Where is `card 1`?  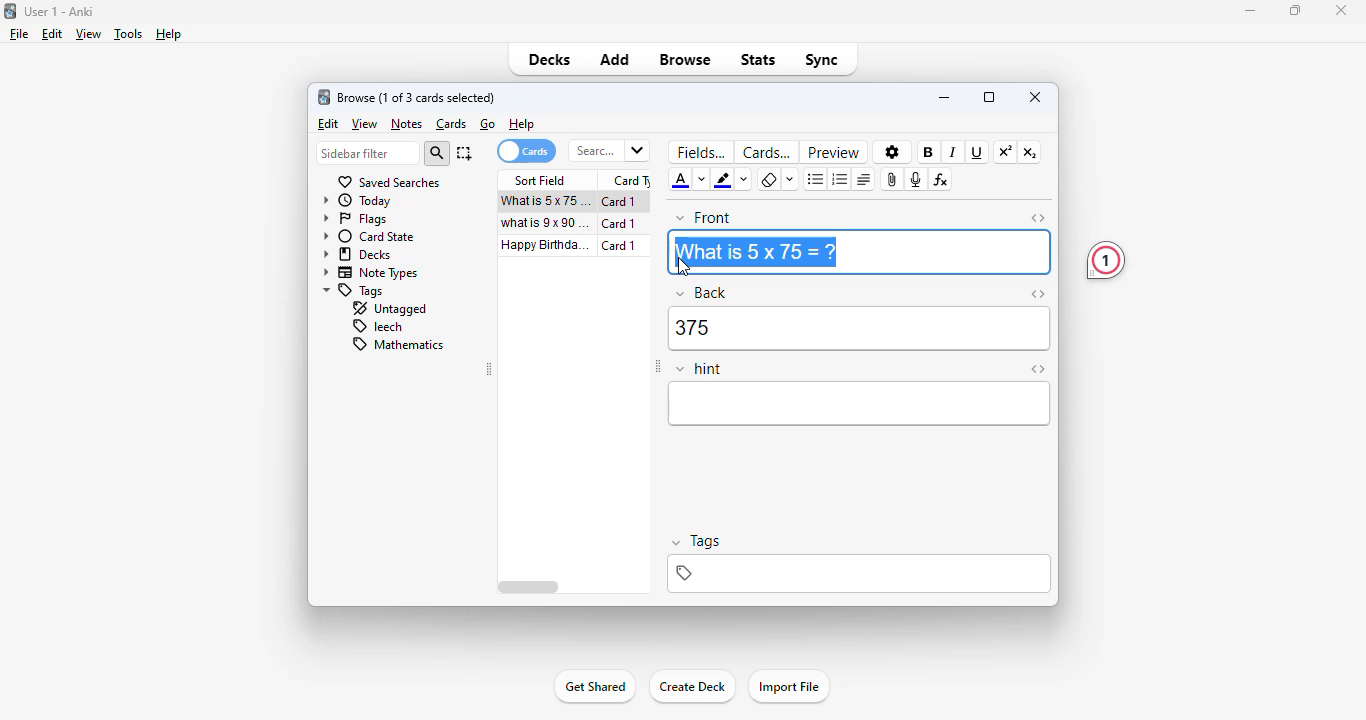 card 1 is located at coordinates (620, 224).